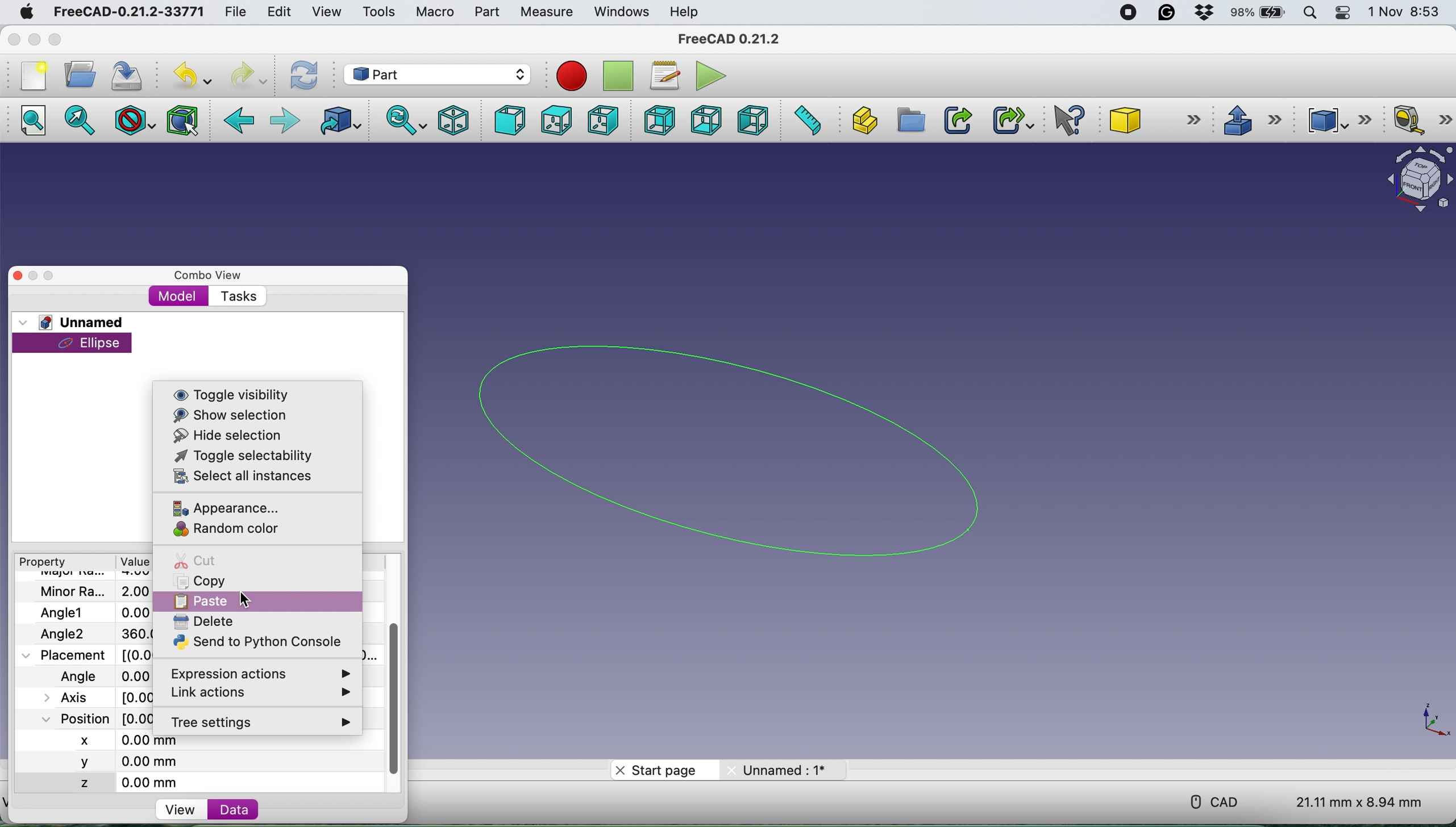 This screenshot has height=827, width=1456. Describe the element at coordinates (437, 76) in the screenshot. I see `workbench` at that location.